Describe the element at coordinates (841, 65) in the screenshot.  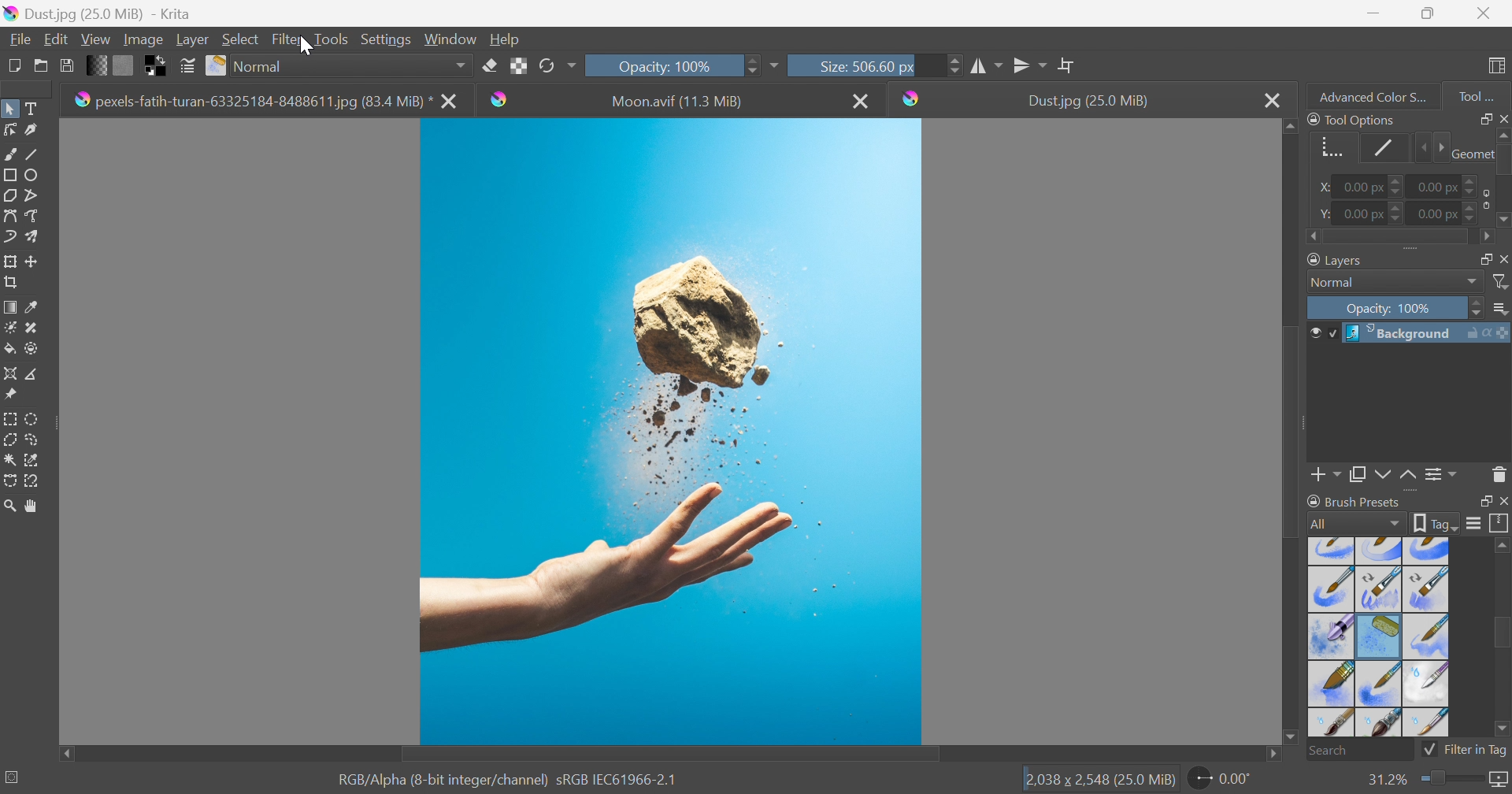
I see `Size: 506.60 px` at that location.